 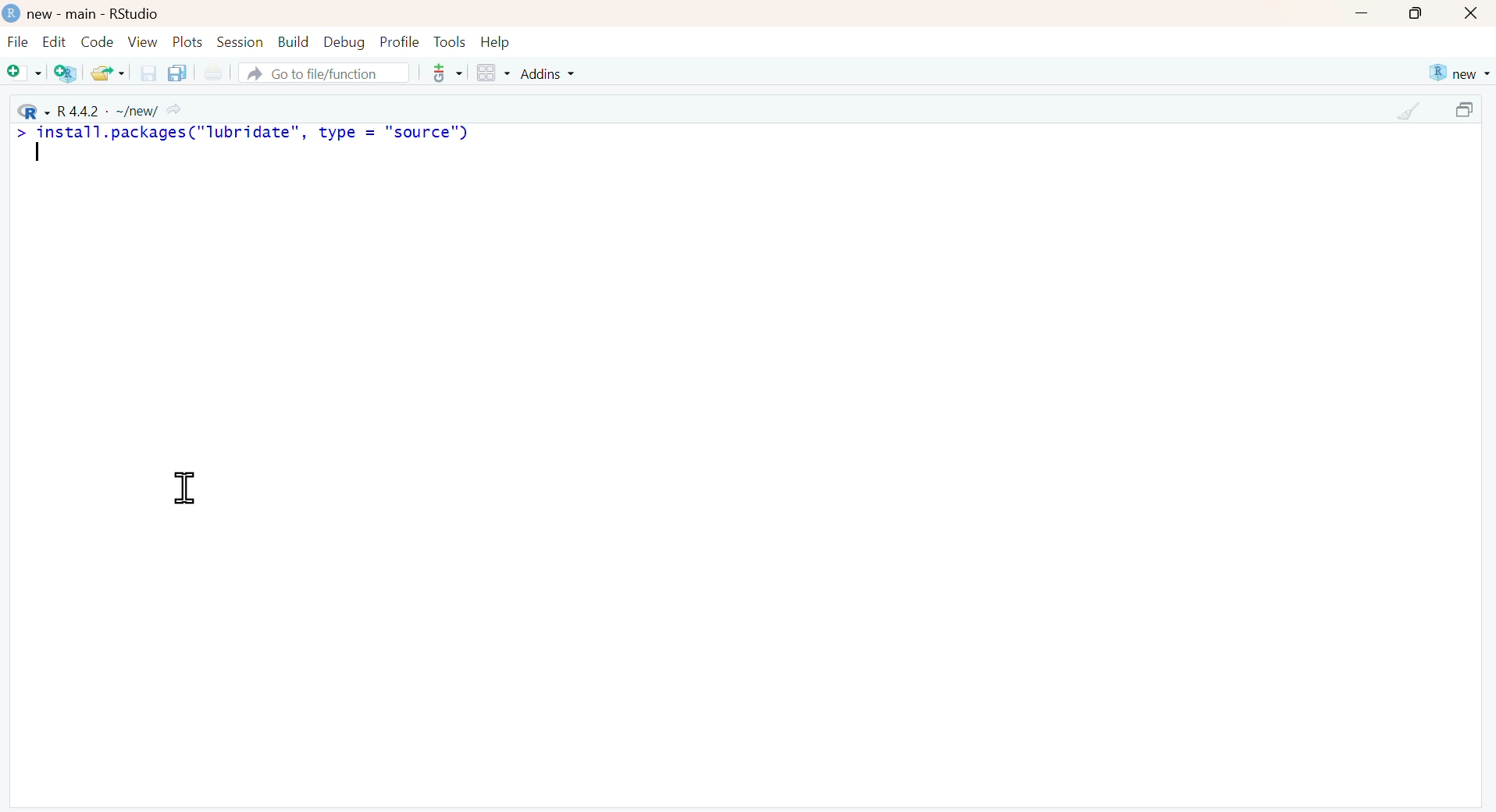 What do you see at coordinates (1410, 112) in the screenshot?
I see `clear console` at bounding box center [1410, 112].